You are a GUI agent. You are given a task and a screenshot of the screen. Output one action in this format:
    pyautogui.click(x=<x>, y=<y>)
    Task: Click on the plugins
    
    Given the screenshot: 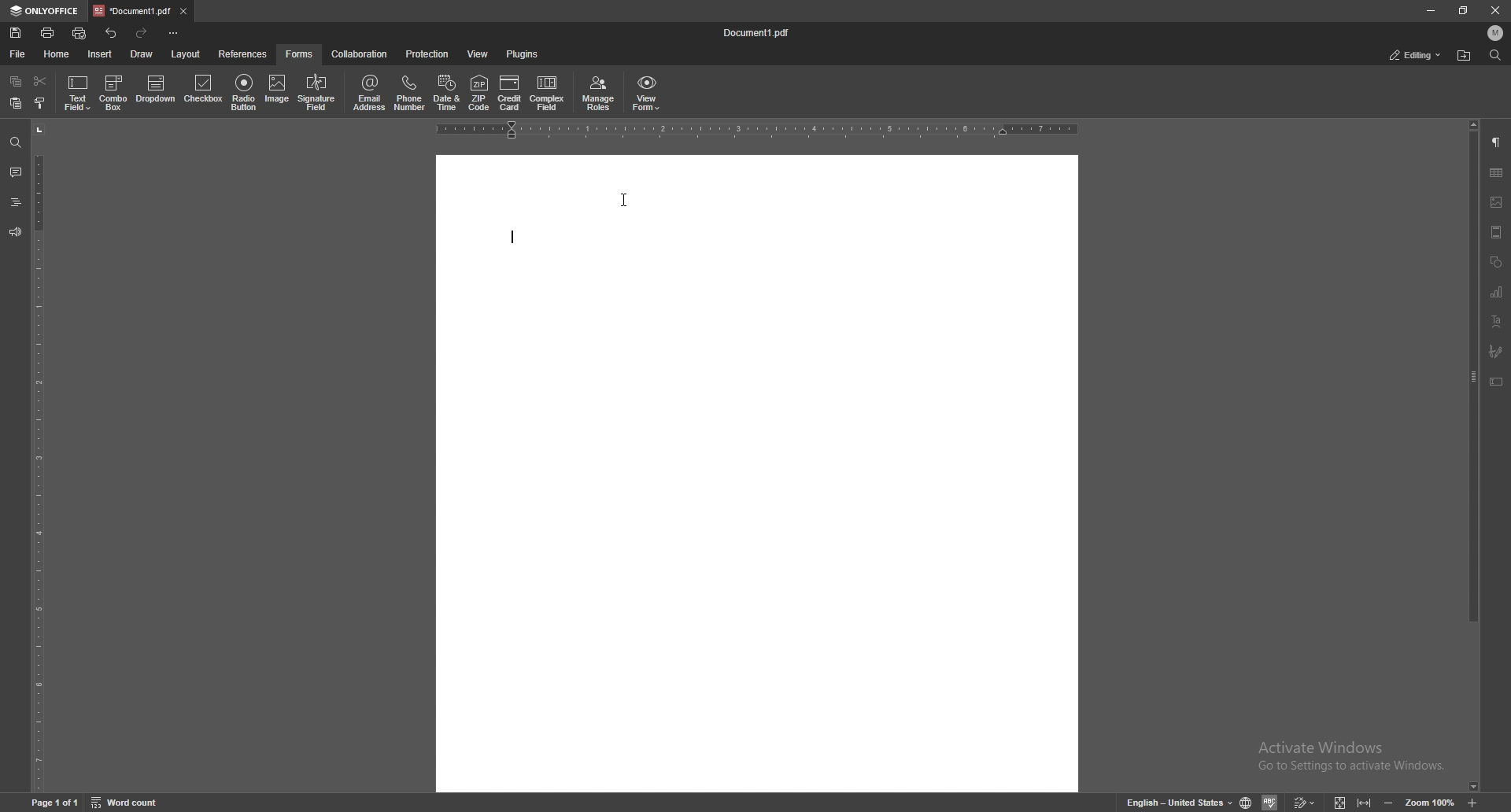 What is the action you would take?
    pyautogui.click(x=523, y=54)
    